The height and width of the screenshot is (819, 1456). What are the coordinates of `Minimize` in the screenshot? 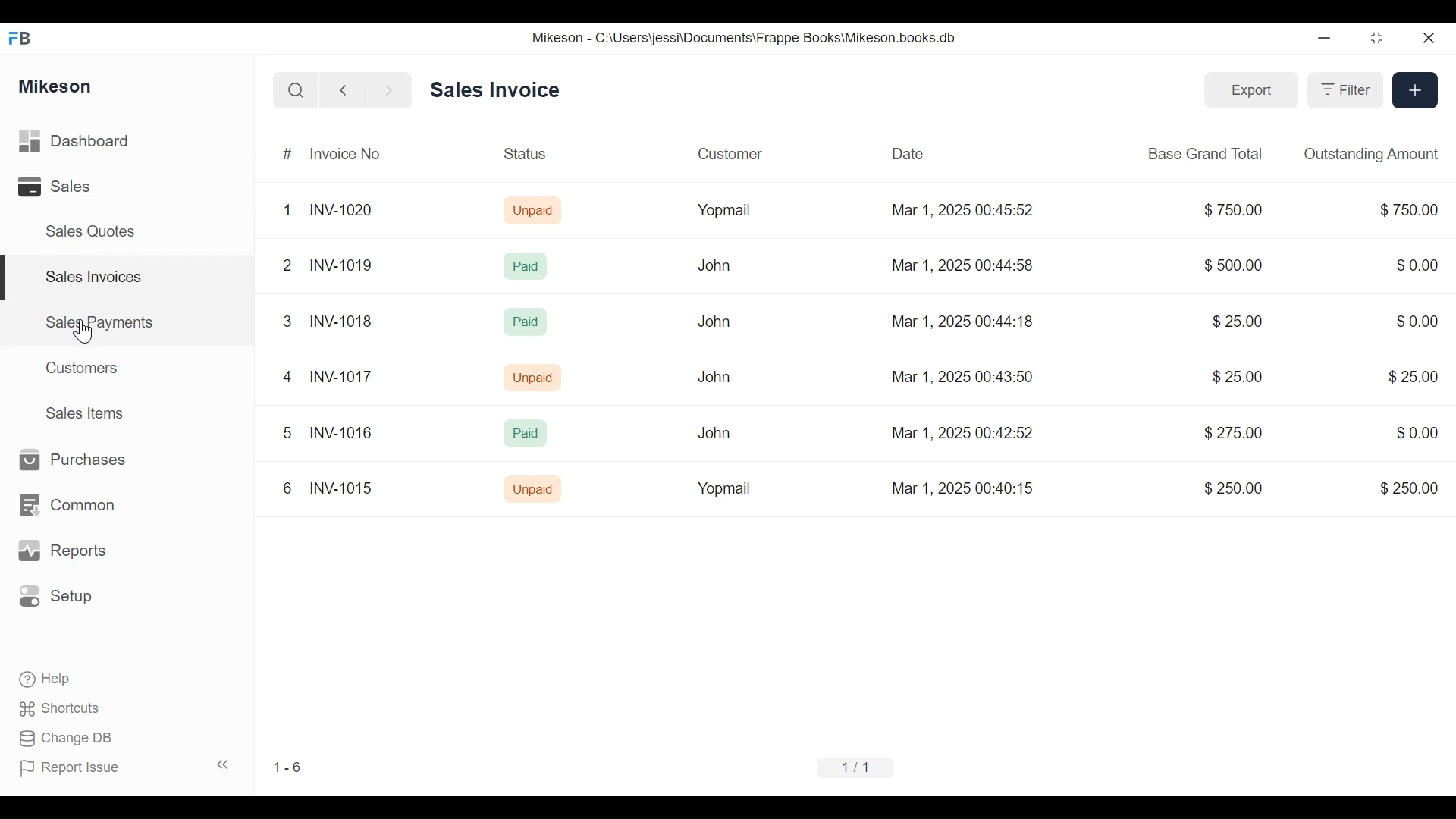 It's located at (1324, 40).